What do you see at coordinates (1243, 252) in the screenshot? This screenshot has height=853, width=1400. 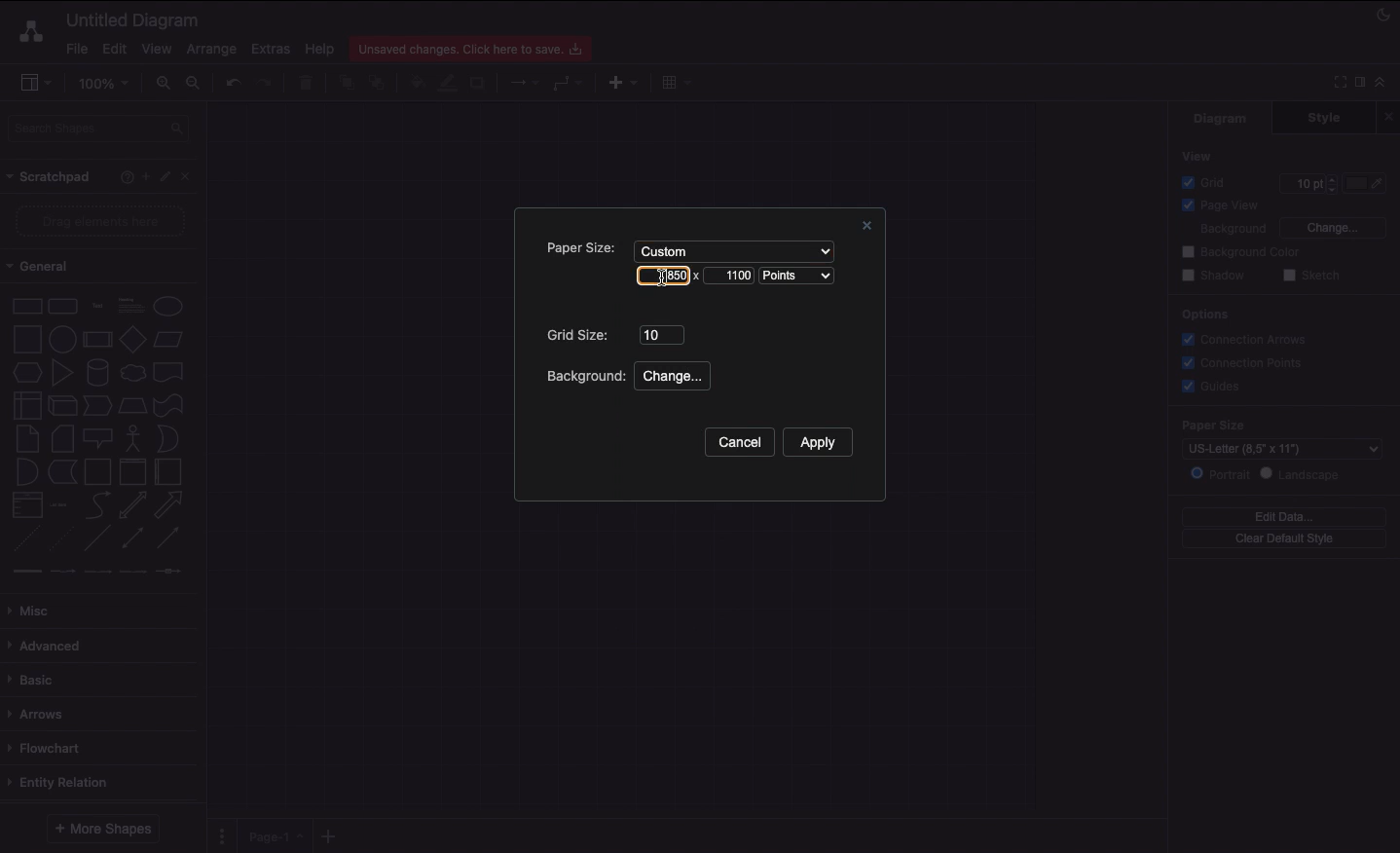 I see `Background color` at bounding box center [1243, 252].